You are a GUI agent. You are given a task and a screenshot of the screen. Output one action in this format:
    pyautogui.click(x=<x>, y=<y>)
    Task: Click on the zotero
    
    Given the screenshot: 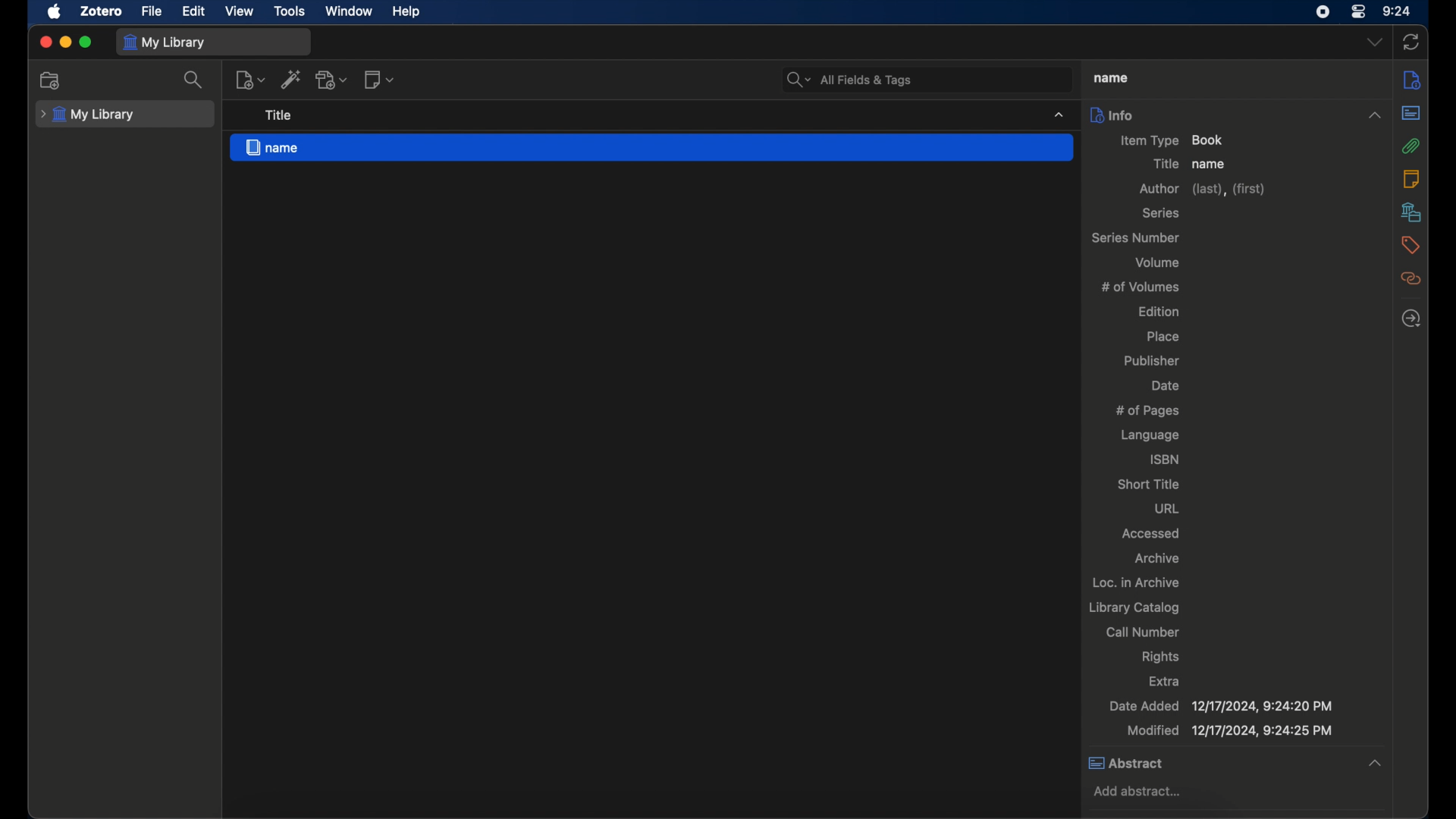 What is the action you would take?
    pyautogui.click(x=100, y=11)
    